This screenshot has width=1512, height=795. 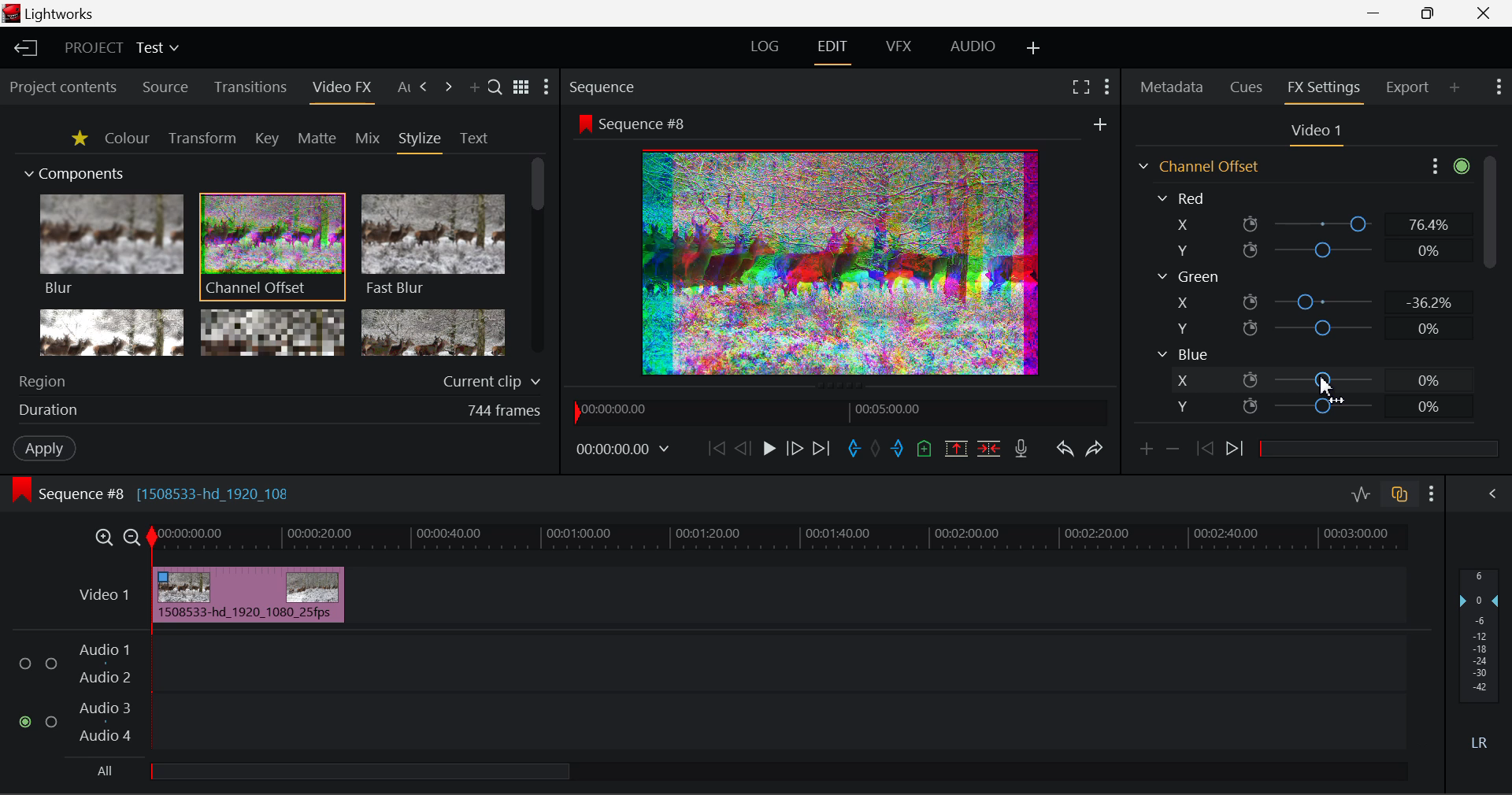 What do you see at coordinates (202, 139) in the screenshot?
I see `Transform` at bounding box center [202, 139].